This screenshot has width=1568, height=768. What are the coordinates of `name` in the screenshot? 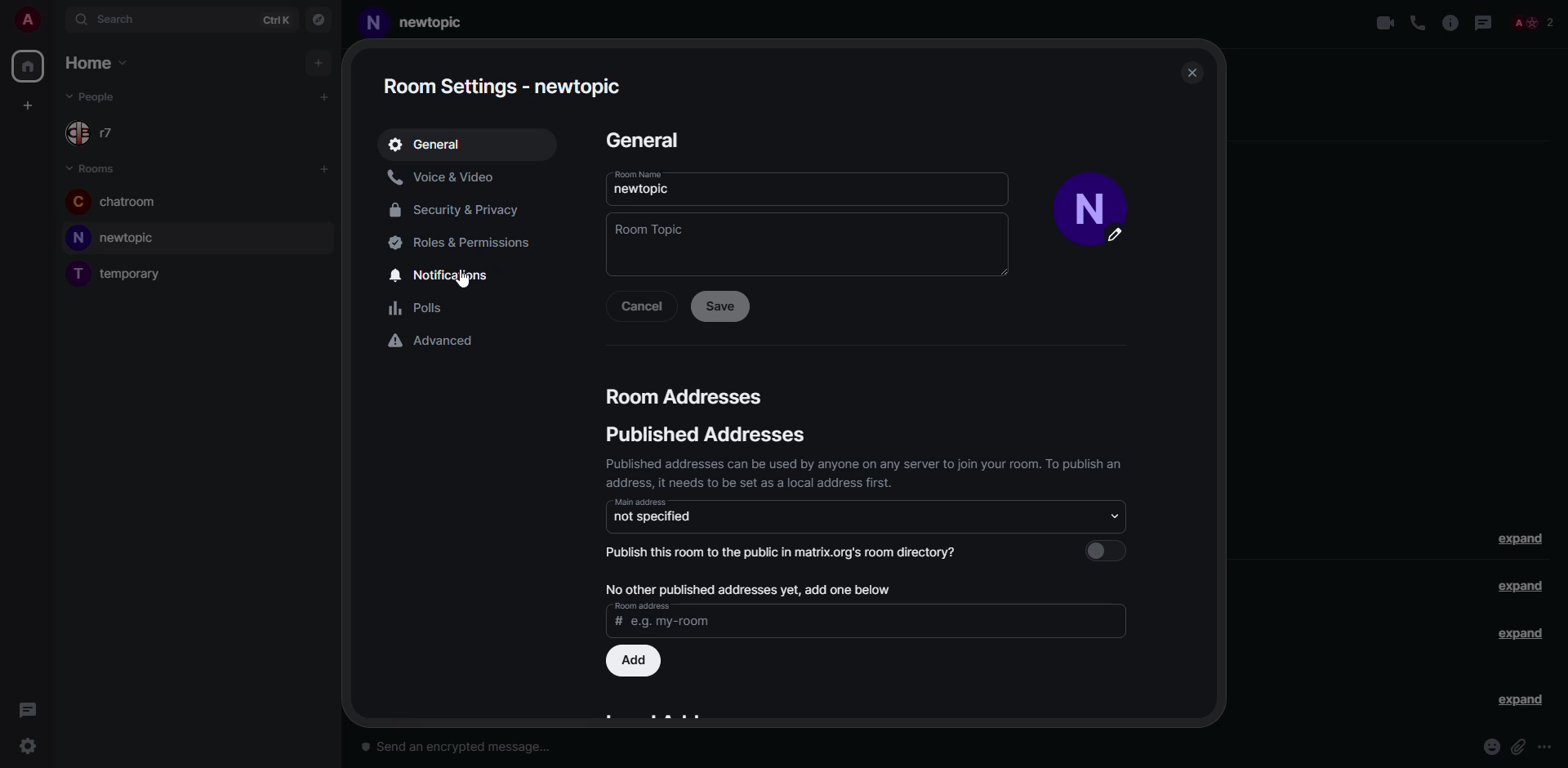 It's located at (652, 185).